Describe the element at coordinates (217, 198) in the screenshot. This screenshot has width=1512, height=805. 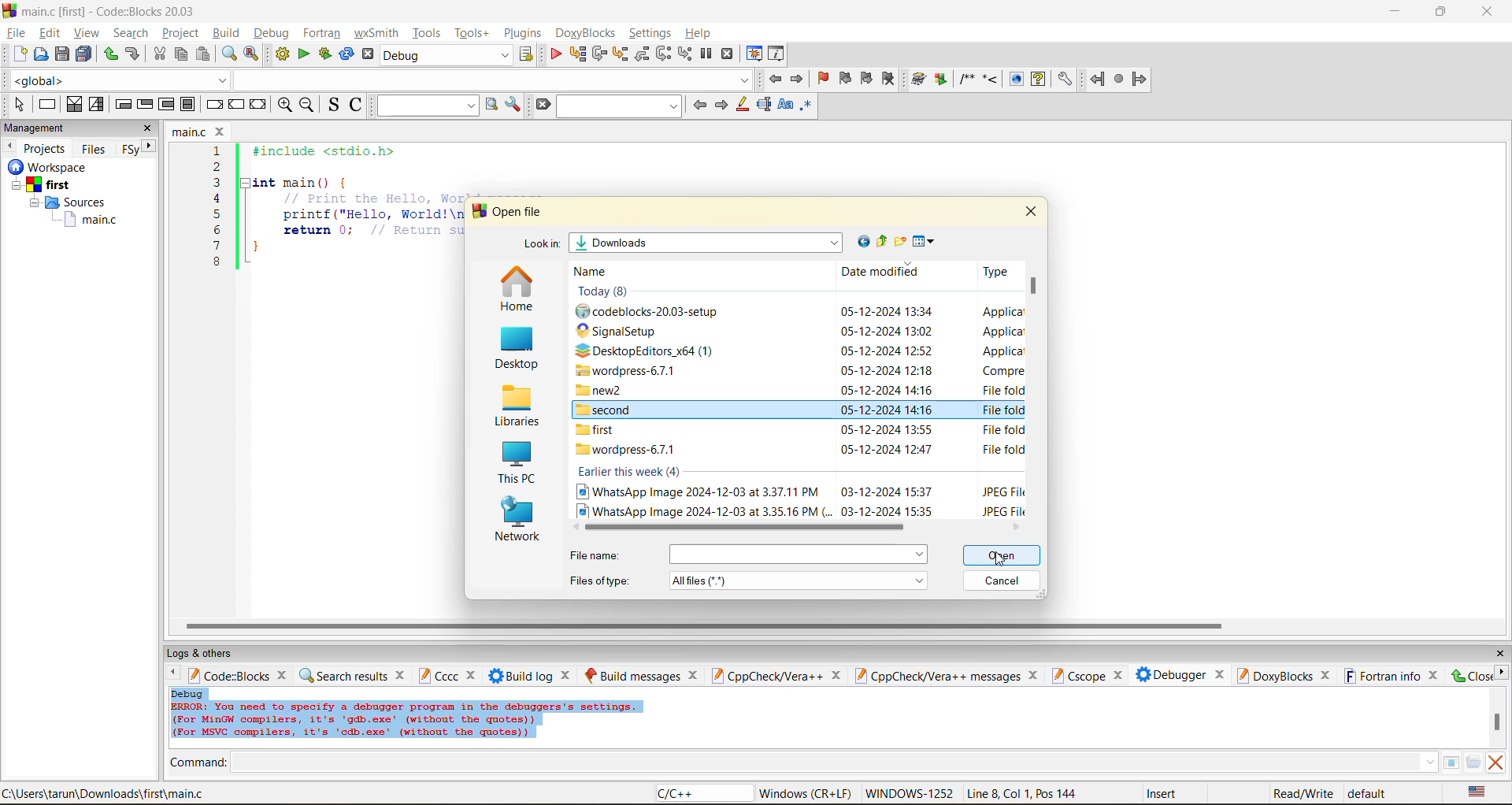
I see `4` at that location.